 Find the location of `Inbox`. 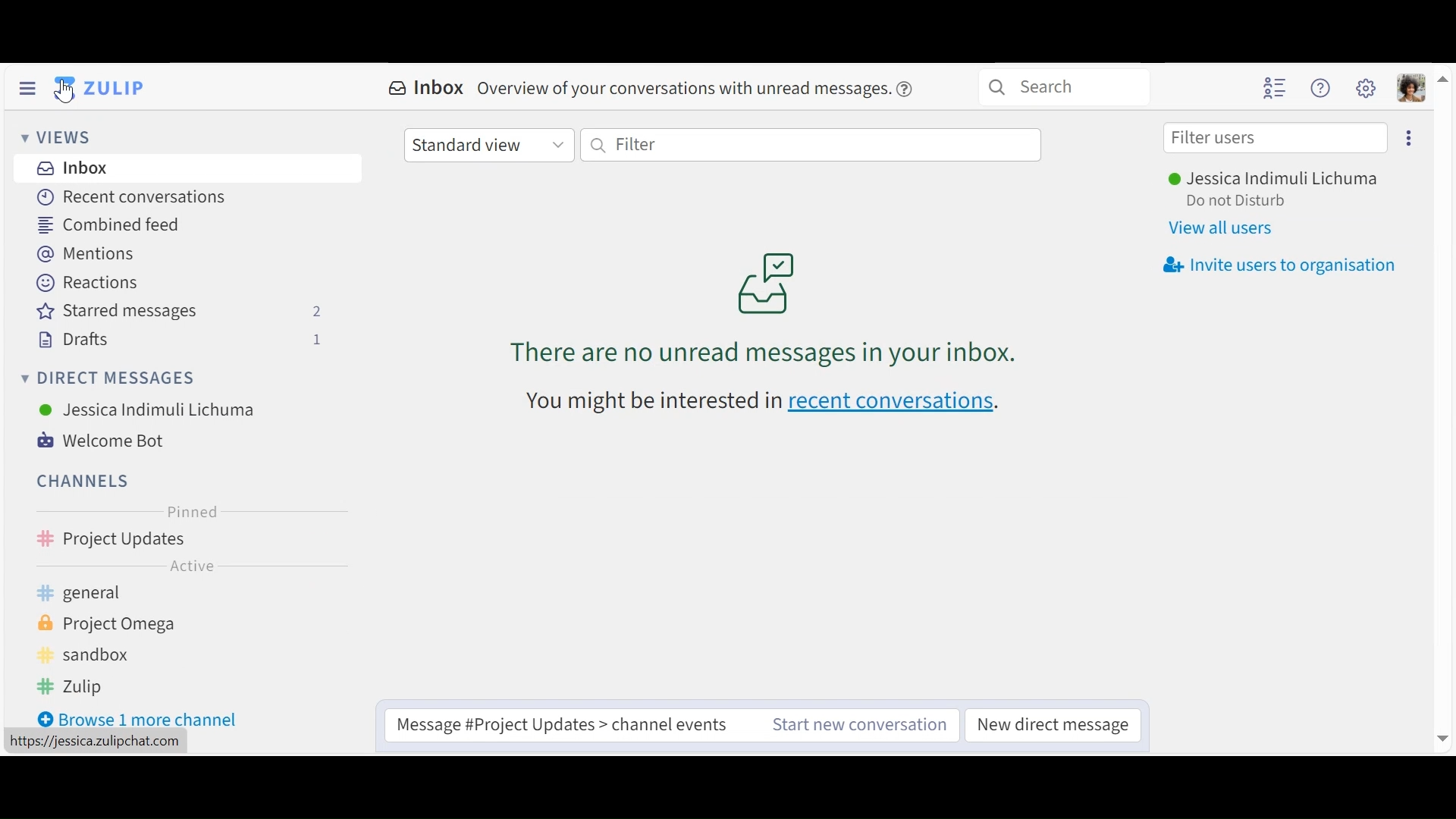

Inbox is located at coordinates (136, 168).